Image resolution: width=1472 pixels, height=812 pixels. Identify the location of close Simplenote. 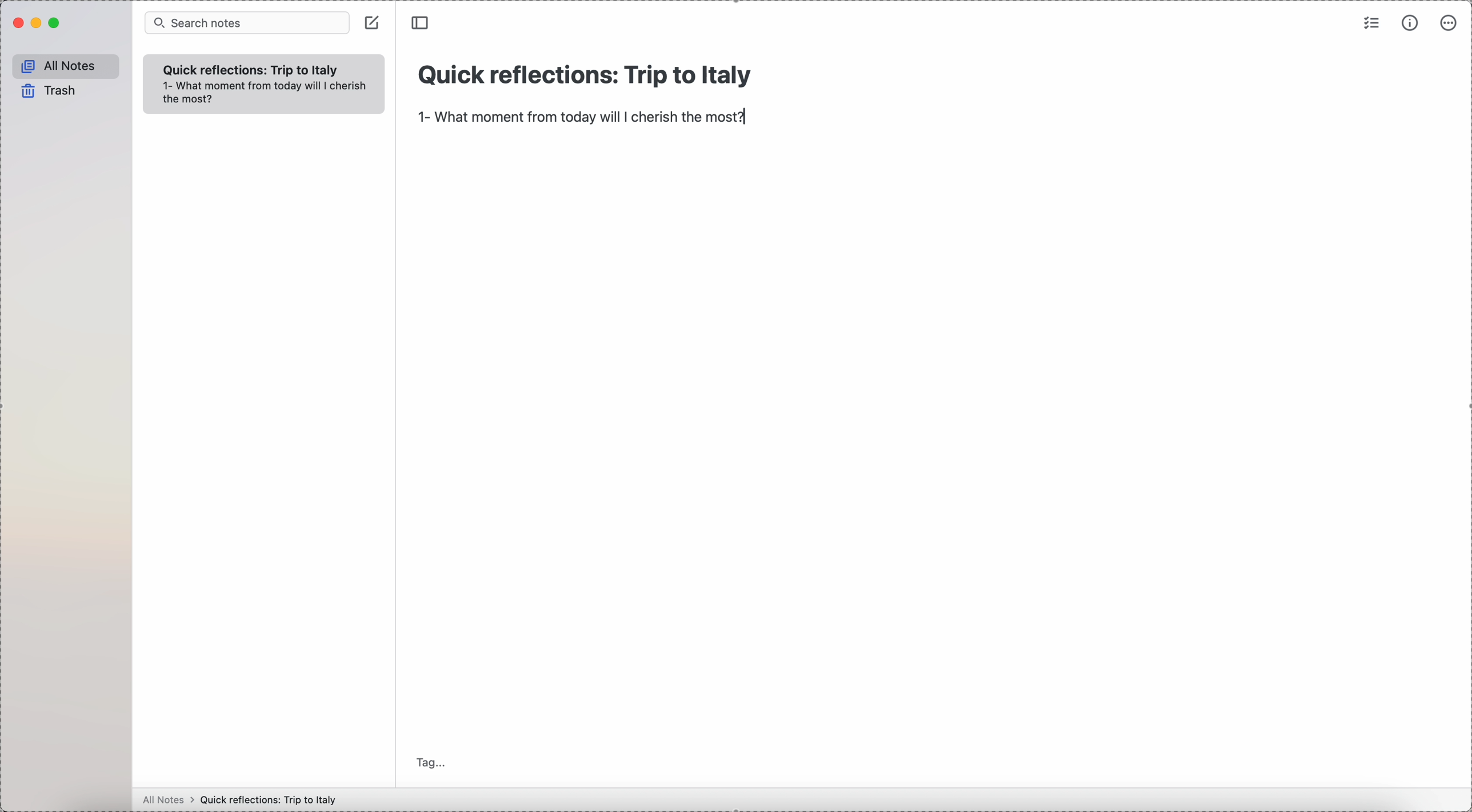
(17, 23).